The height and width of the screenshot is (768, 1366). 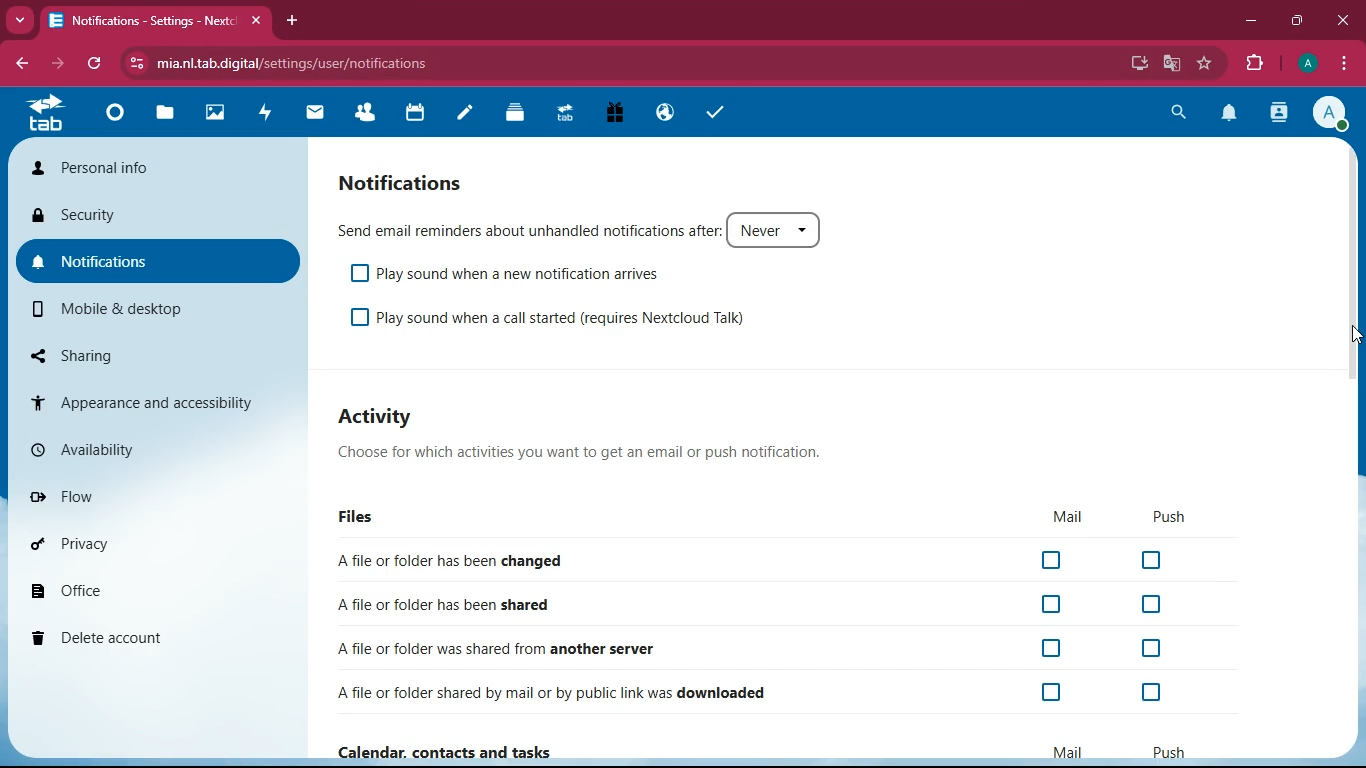 I want to click on Free Trail PC, so click(x=614, y=114).